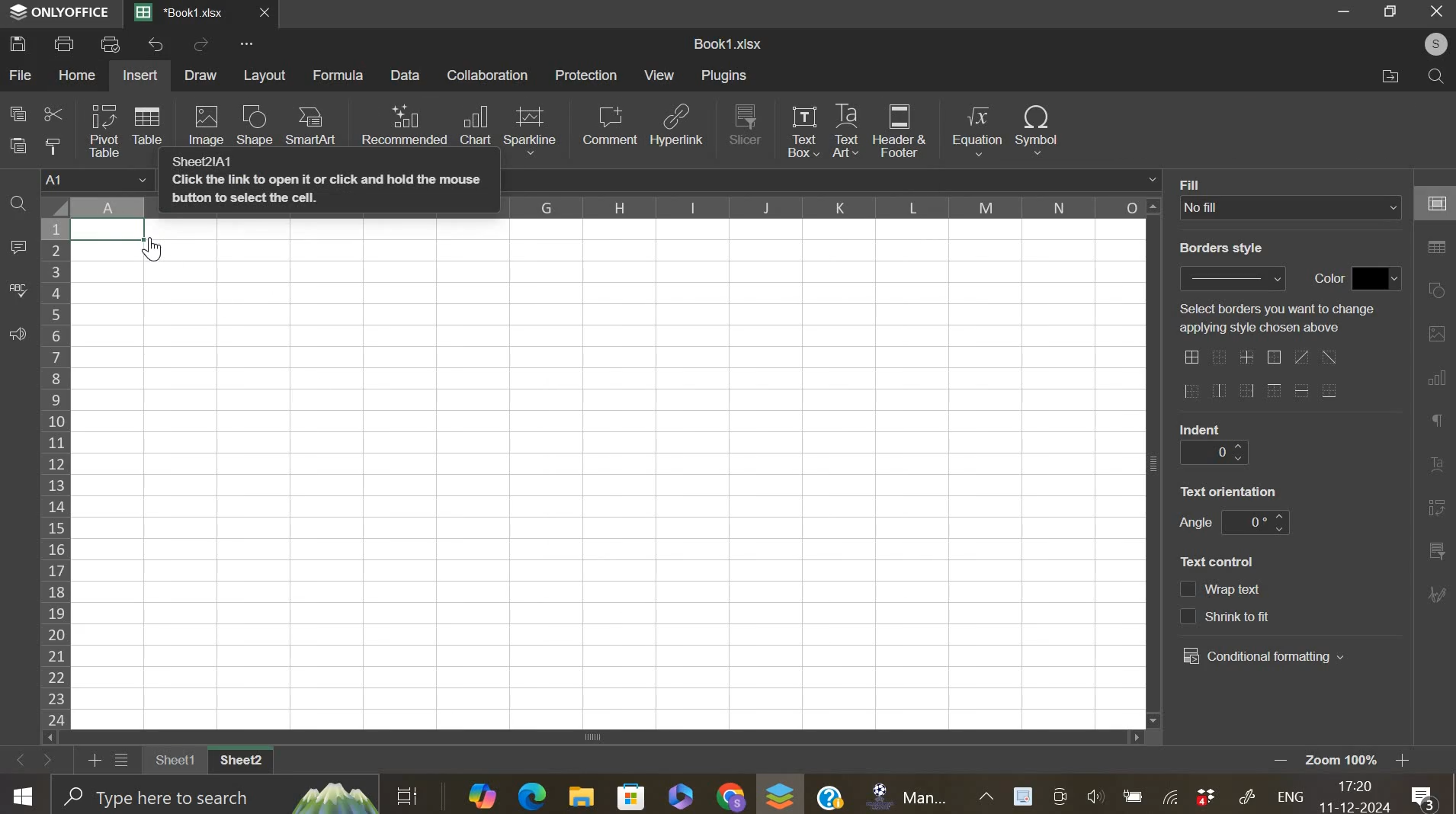 Image resolution: width=1456 pixels, height=814 pixels. What do you see at coordinates (329, 186) in the screenshot?
I see `Sheet21A1 Click the link to open it or click and hold the mouse button to select the cell` at bounding box center [329, 186].